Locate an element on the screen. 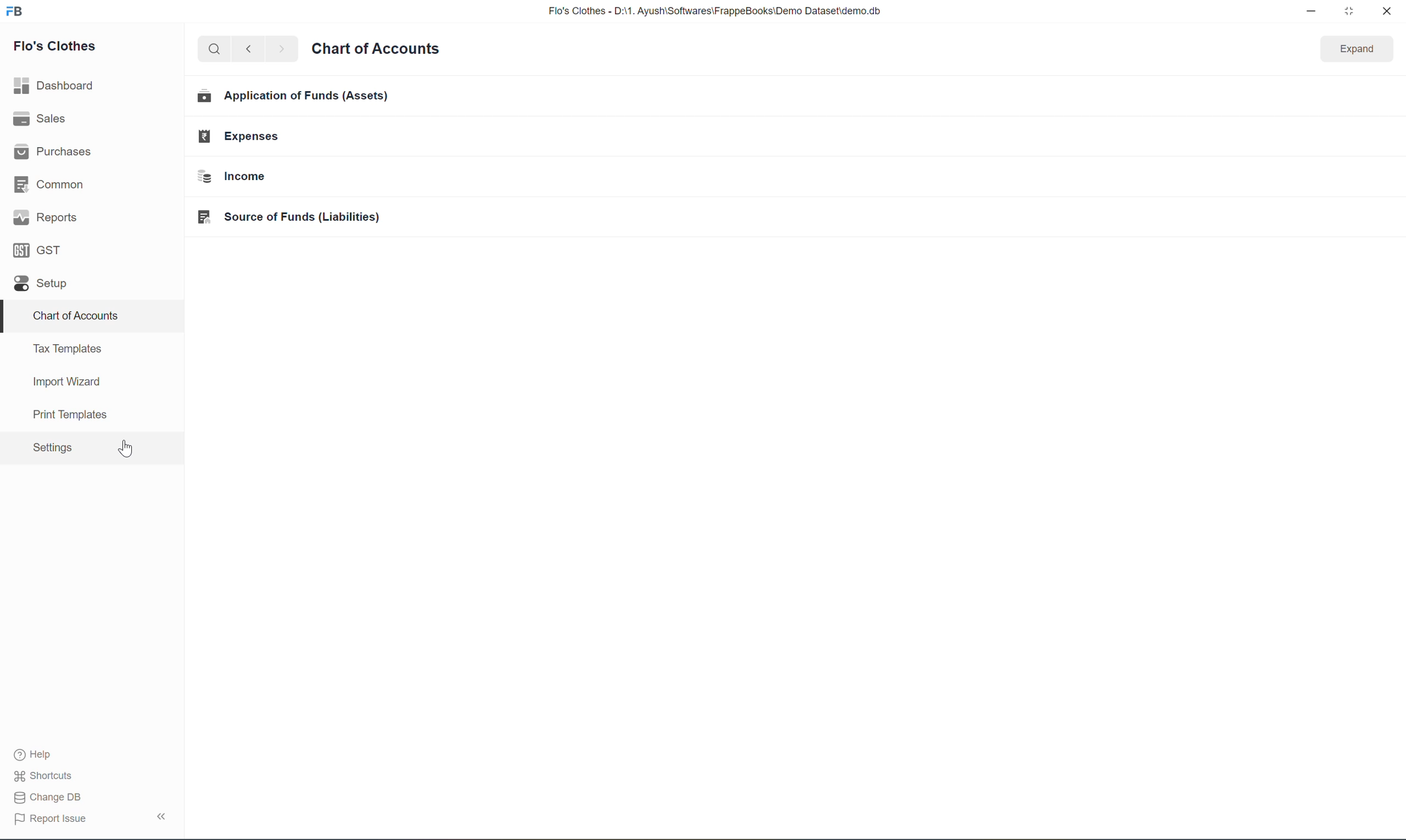  close is located at coordinates (1386, 10).